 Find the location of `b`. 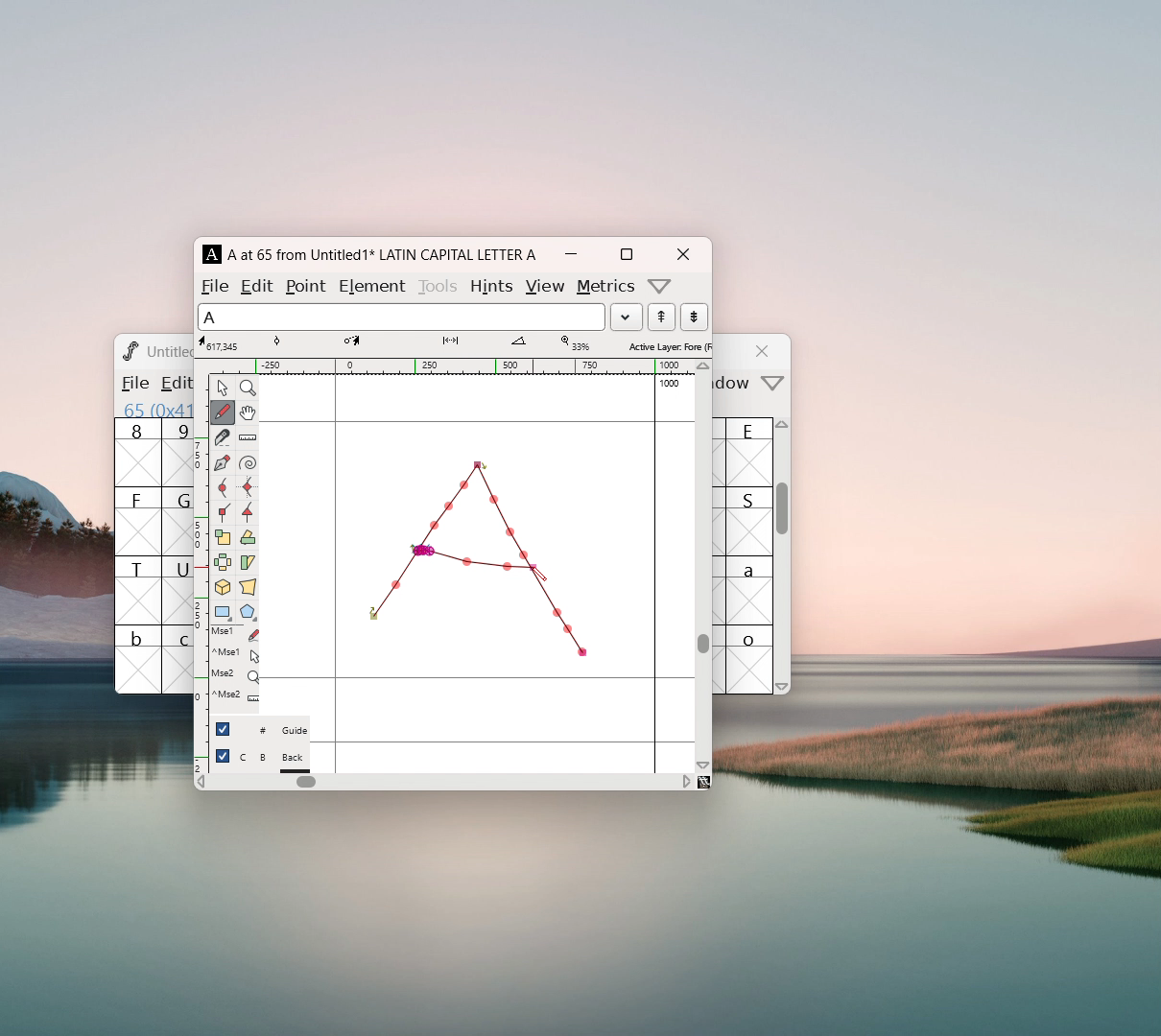

b is located at coordinates (138, 659).